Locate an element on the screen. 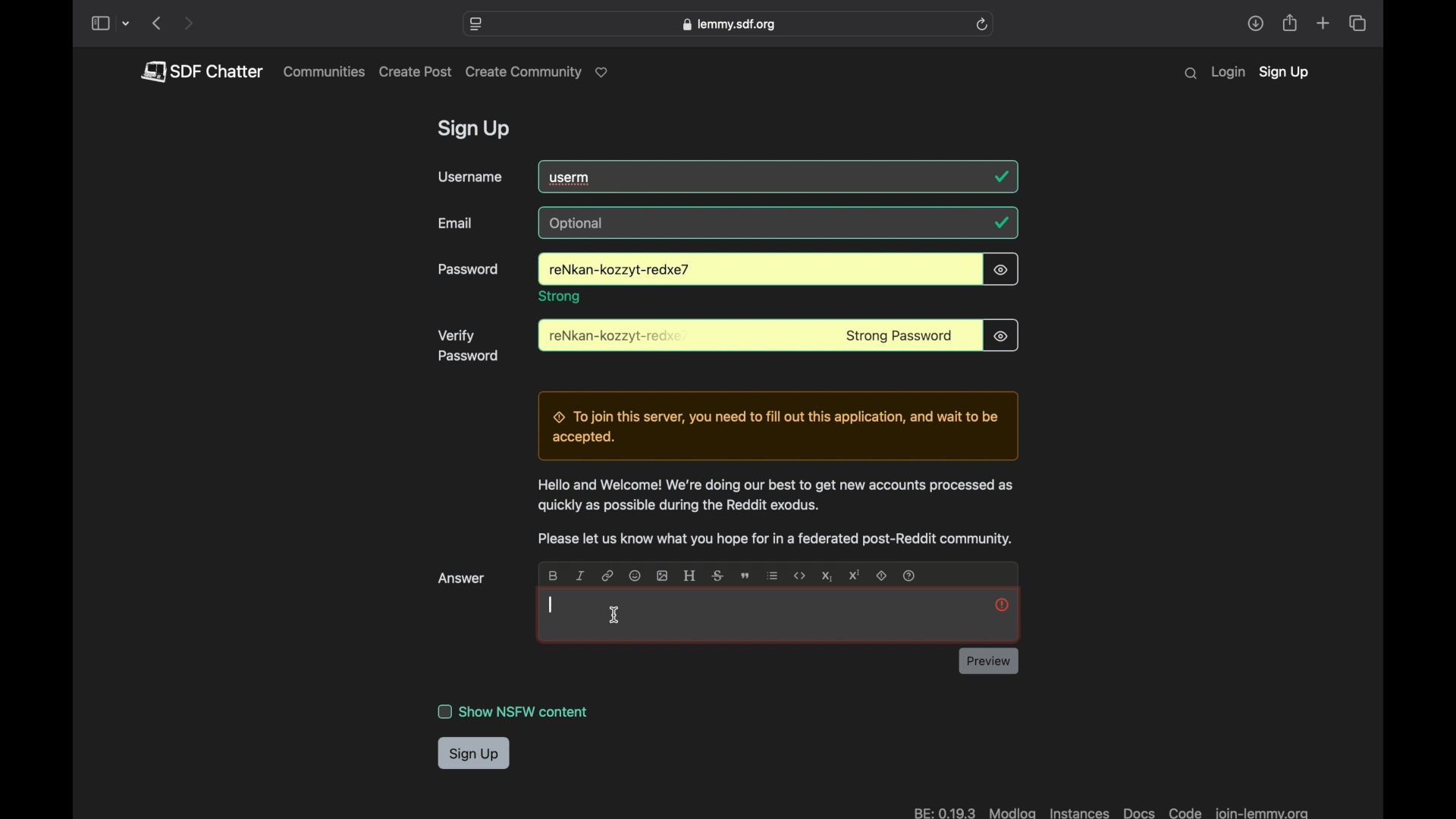 This screenshot has height=819, width=1456. search is located at coordinates (1191, 74).